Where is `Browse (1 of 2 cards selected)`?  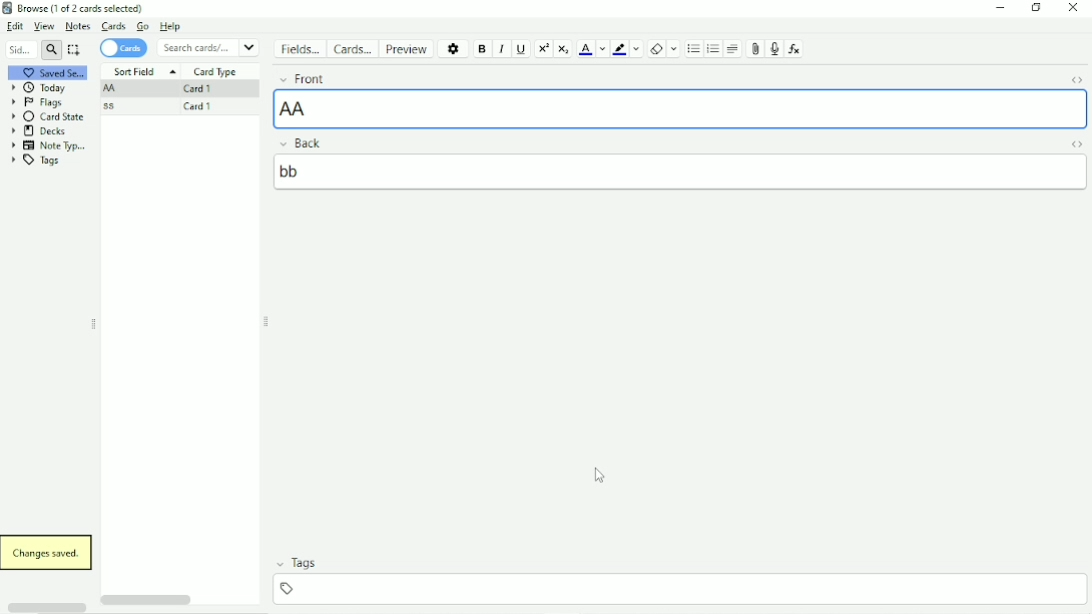 Browse (1 of 2 cards selected) is located at coordinates (85, 8).